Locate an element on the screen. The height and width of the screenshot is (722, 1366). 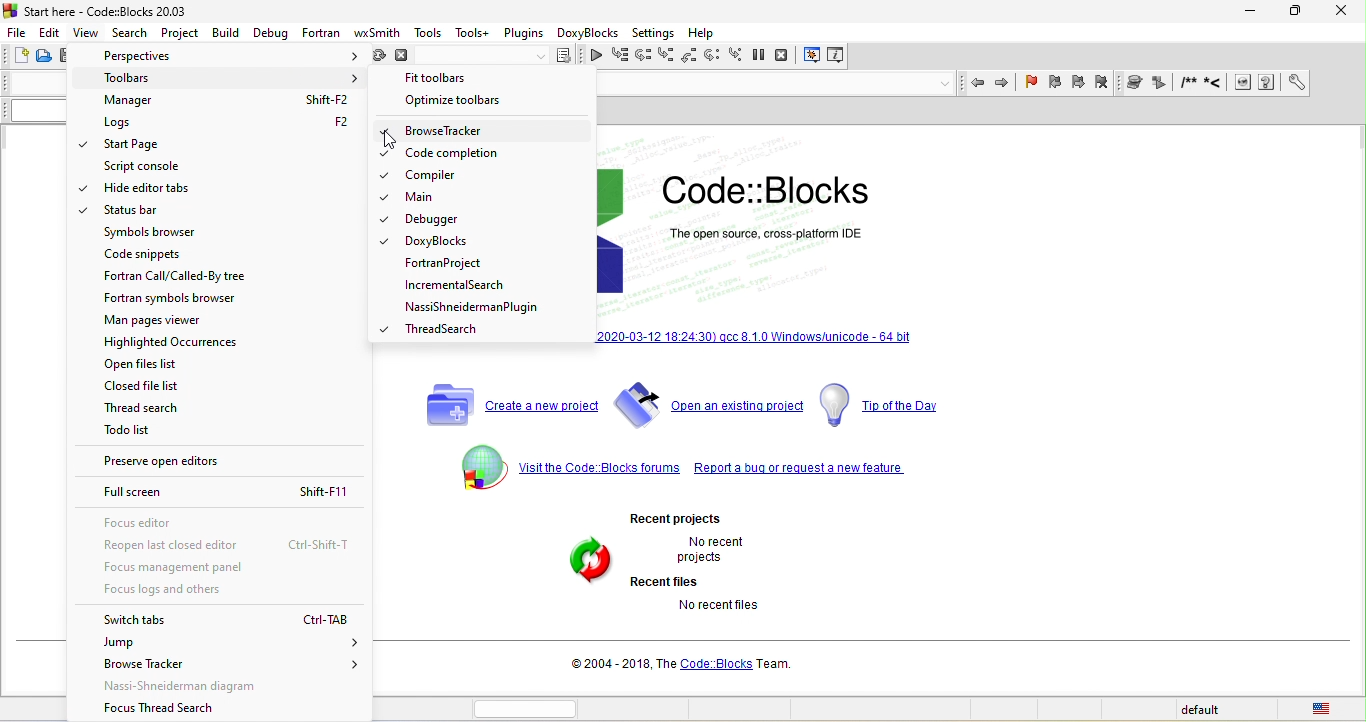
cursor movement is located at coordinates (392, 142).